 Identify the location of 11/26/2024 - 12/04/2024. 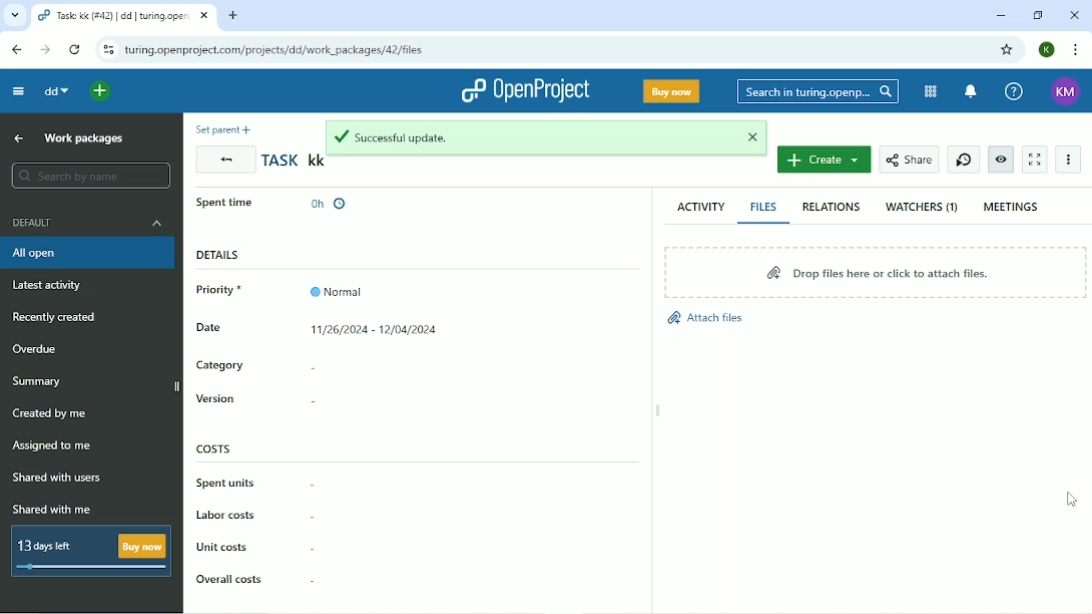
(375, 332).